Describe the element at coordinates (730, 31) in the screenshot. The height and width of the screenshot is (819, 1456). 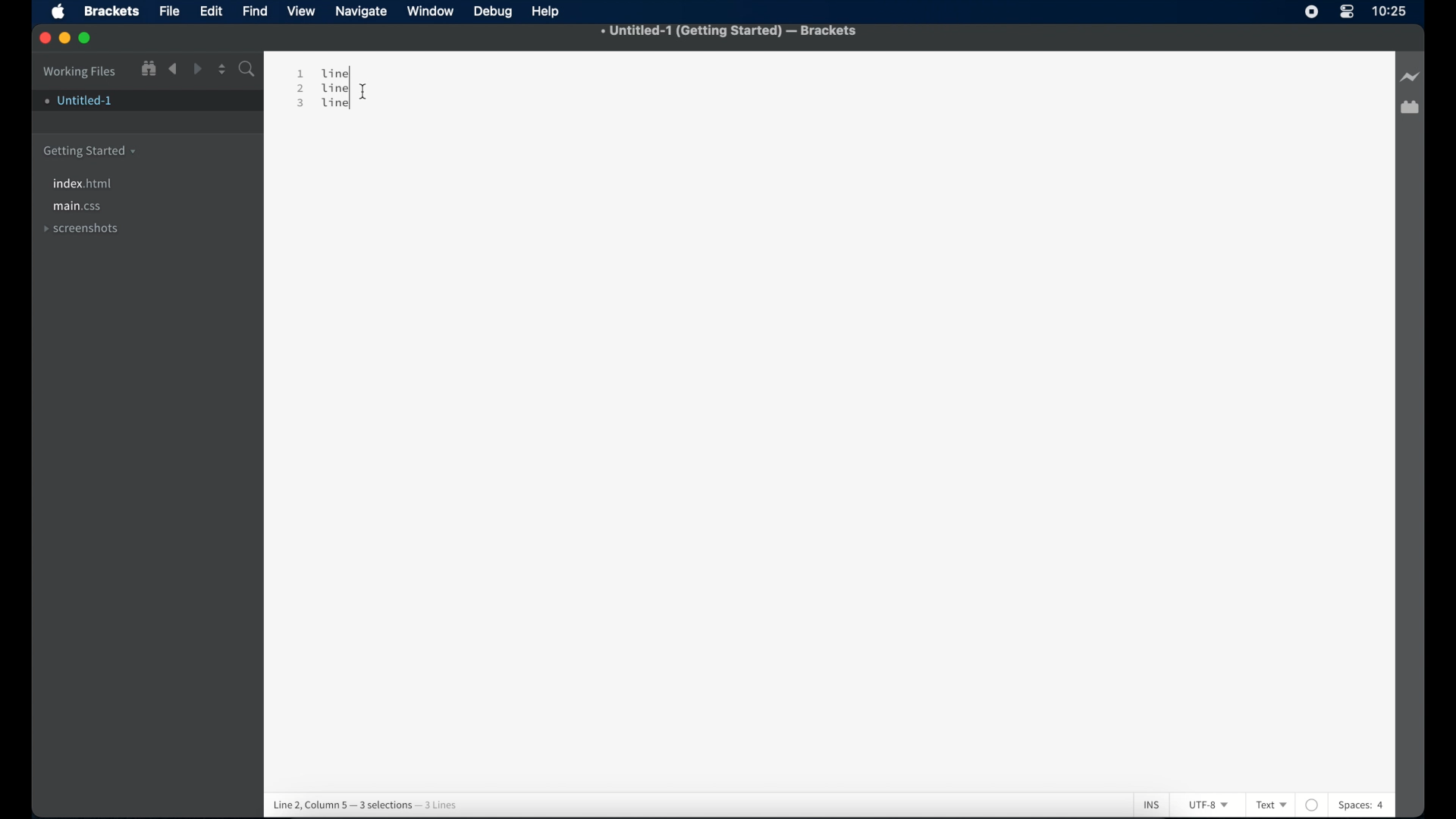
I see `untitled-1 (getting started)  -  brackets` at that location.